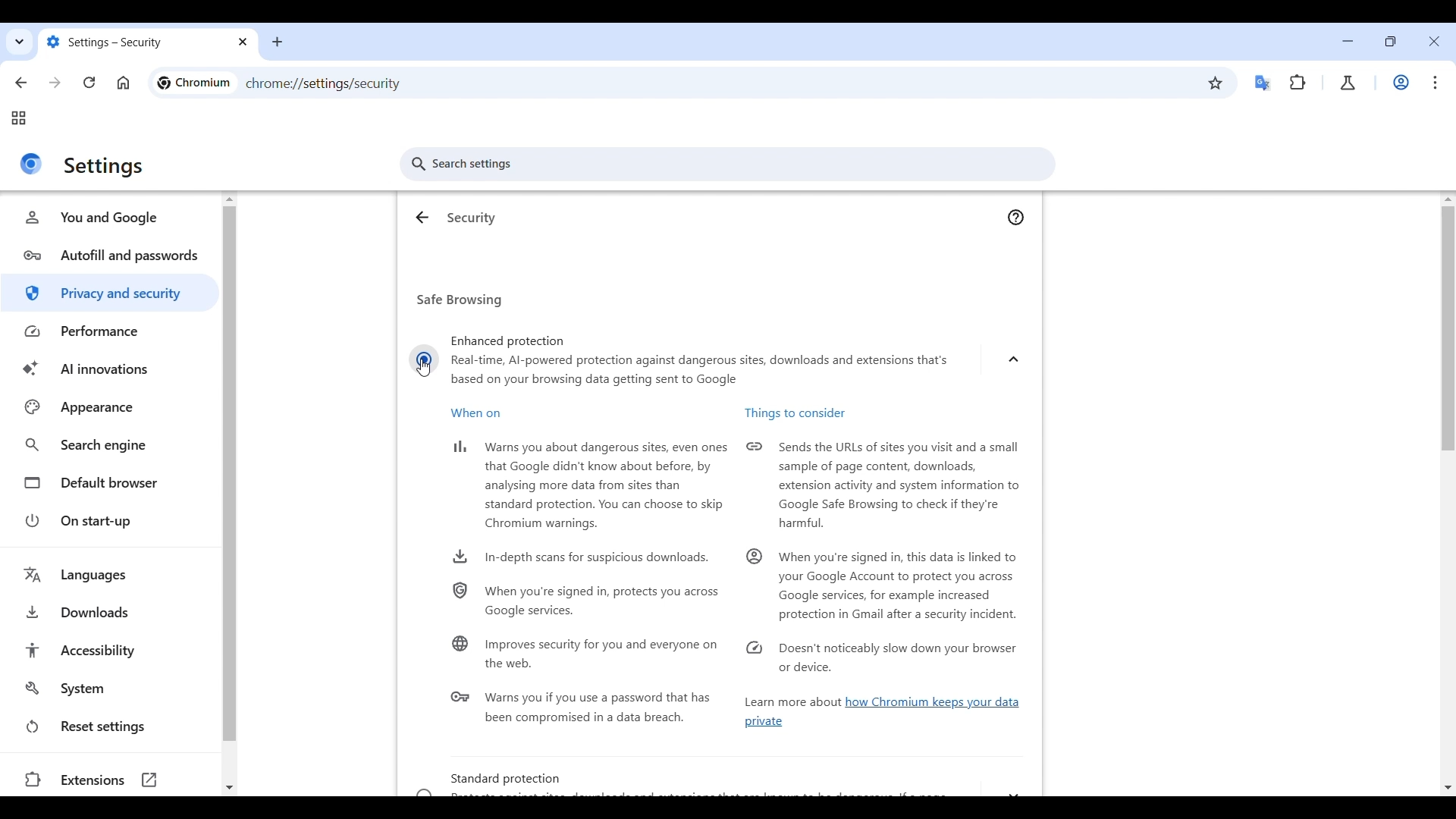 The width and height of the screenshot is (1456, 819). Describe the element at coordinates (110, 293) in the screenshot. I see `Privacy and security ` at that location.